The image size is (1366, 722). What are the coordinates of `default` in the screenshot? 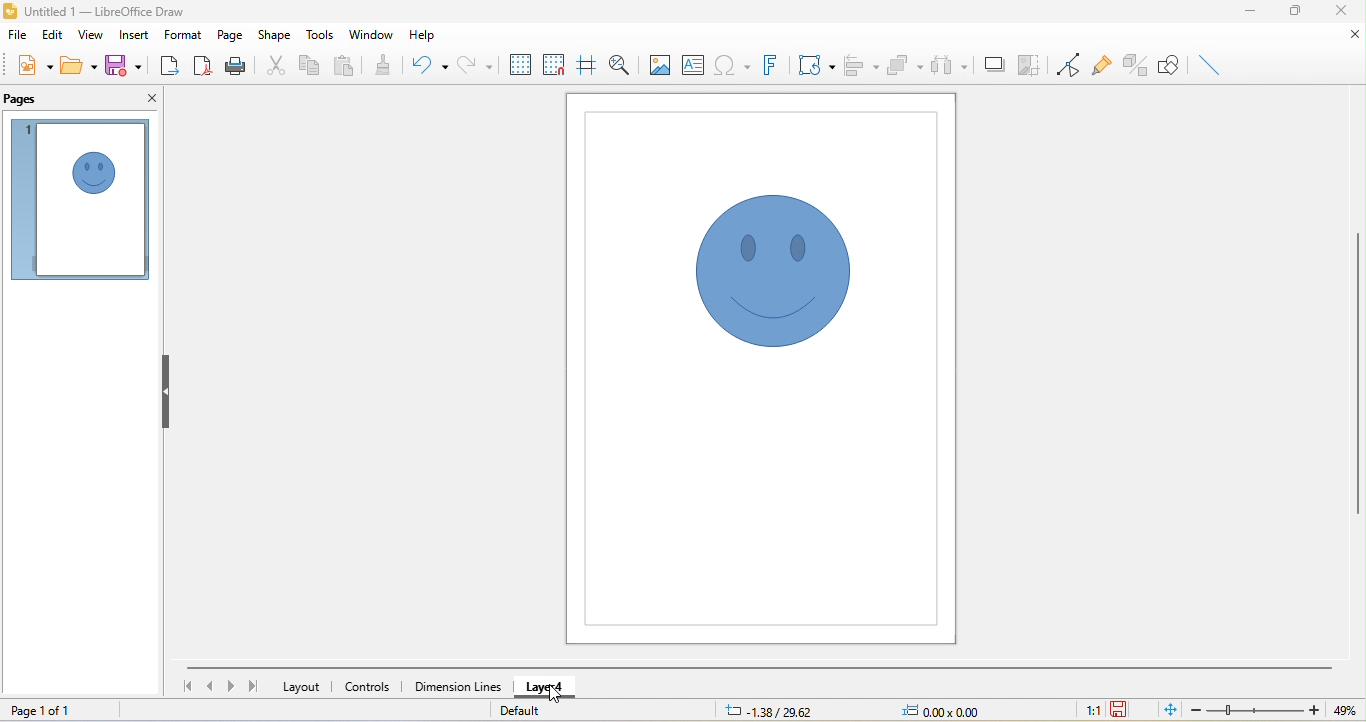 It's located at (526, 710).